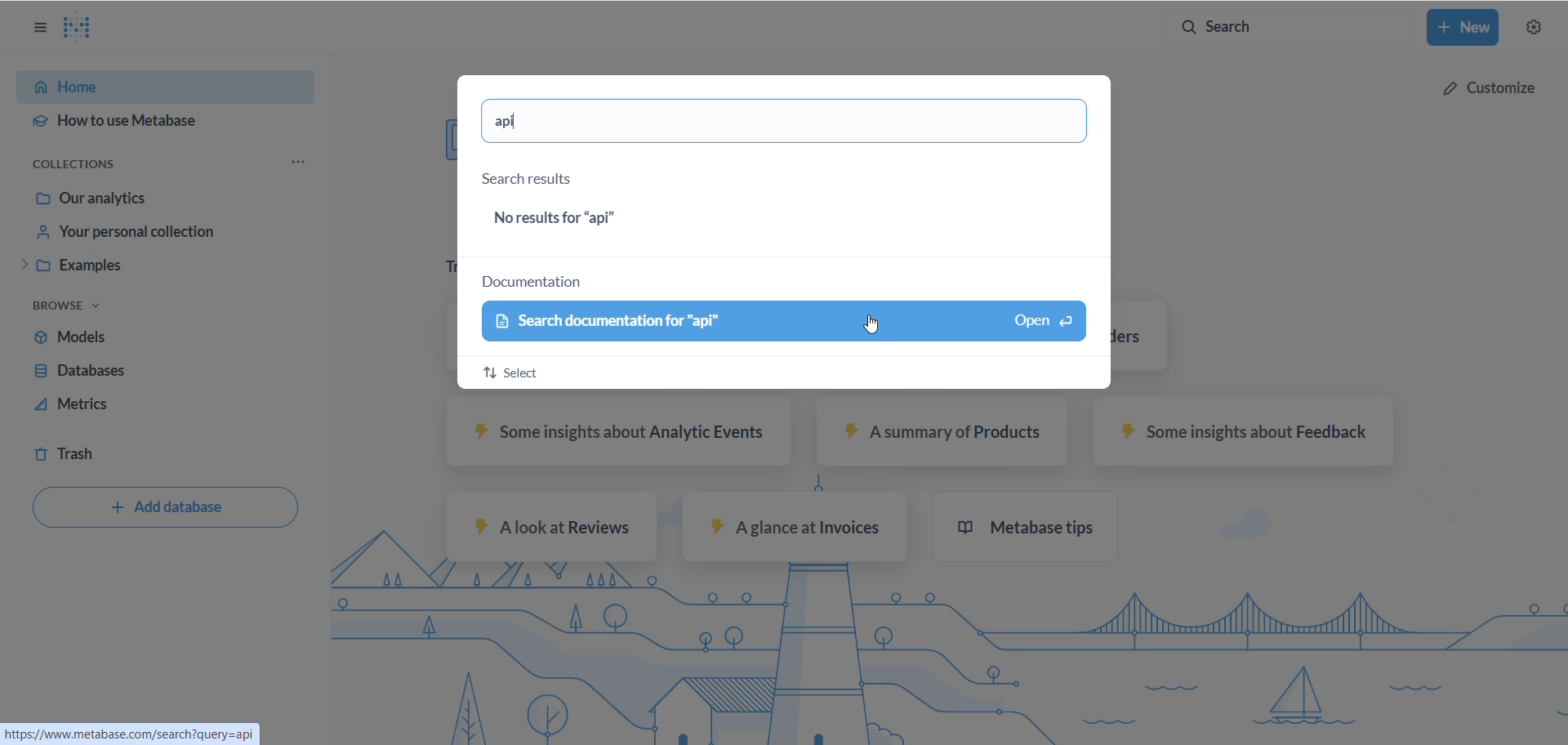 The height and width of the screenshot is (745, 1568). I want to click on add database, so click(168, 511).